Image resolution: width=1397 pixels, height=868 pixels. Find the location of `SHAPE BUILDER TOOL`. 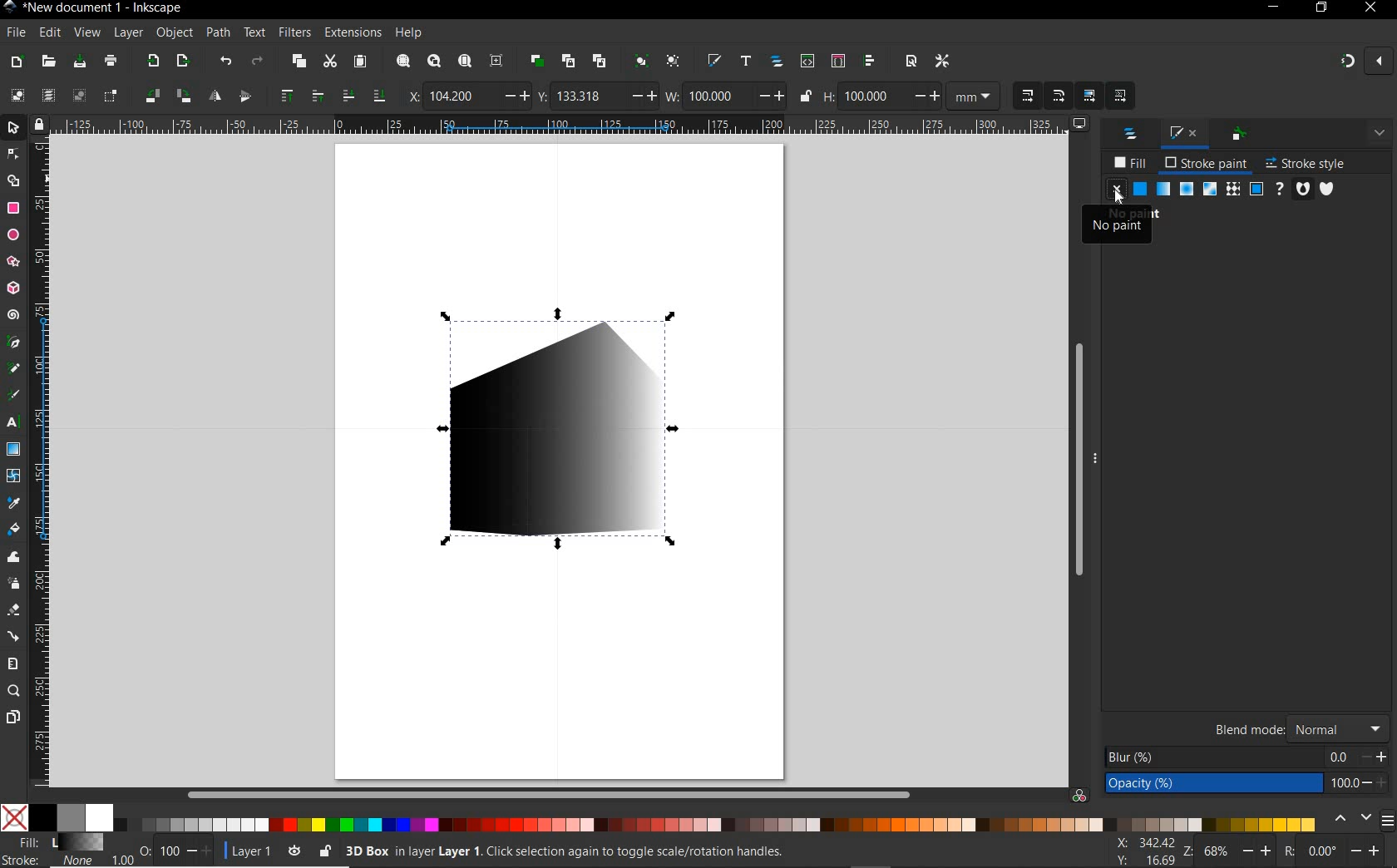

SHAPE BUILDER TOOL is located at coordinates (13, 180).